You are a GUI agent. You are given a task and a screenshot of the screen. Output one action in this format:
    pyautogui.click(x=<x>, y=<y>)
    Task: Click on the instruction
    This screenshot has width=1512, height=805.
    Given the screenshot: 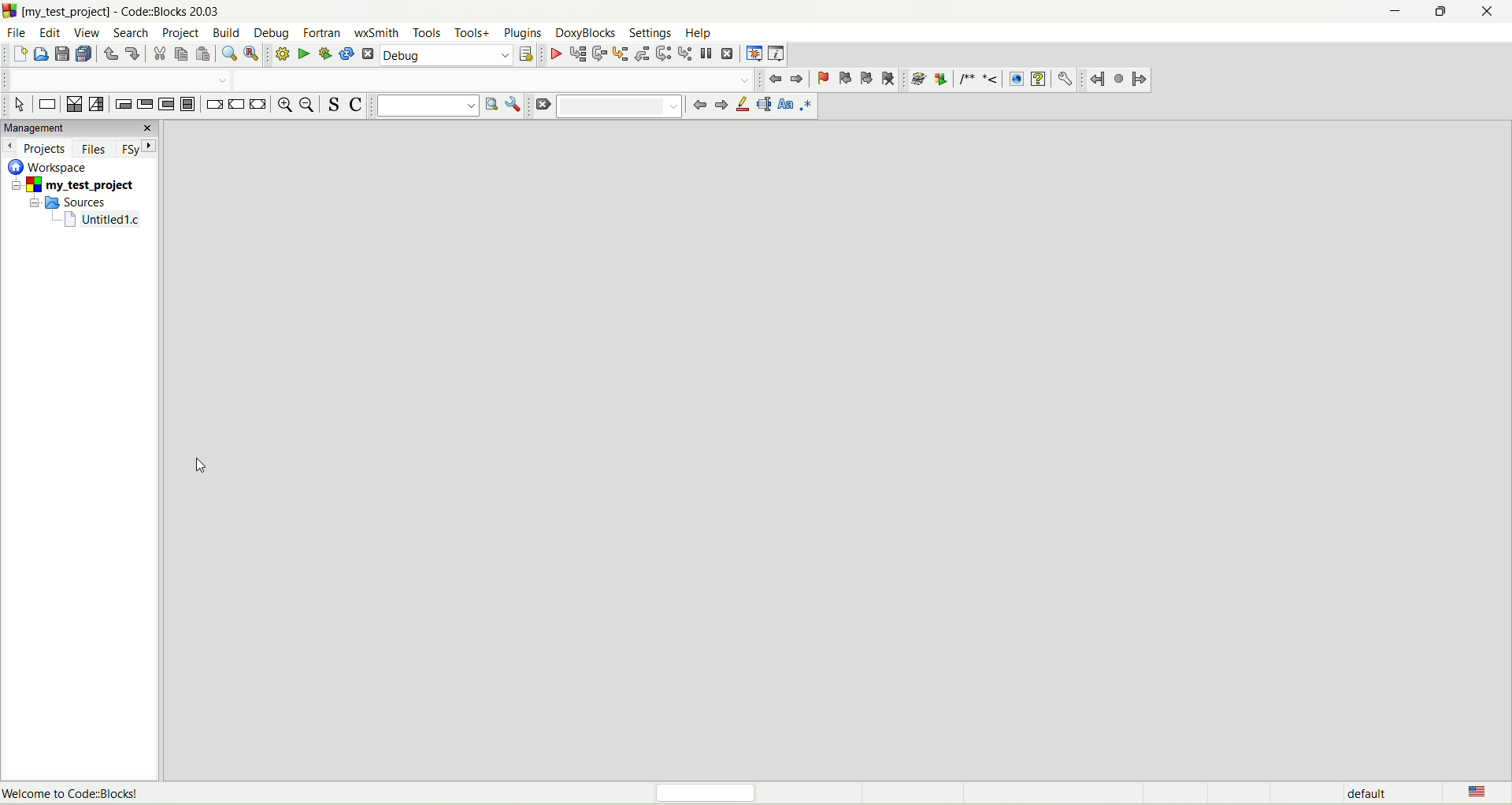 What is the action you would take?
    pyautogui.click(x=49, y=104)
    